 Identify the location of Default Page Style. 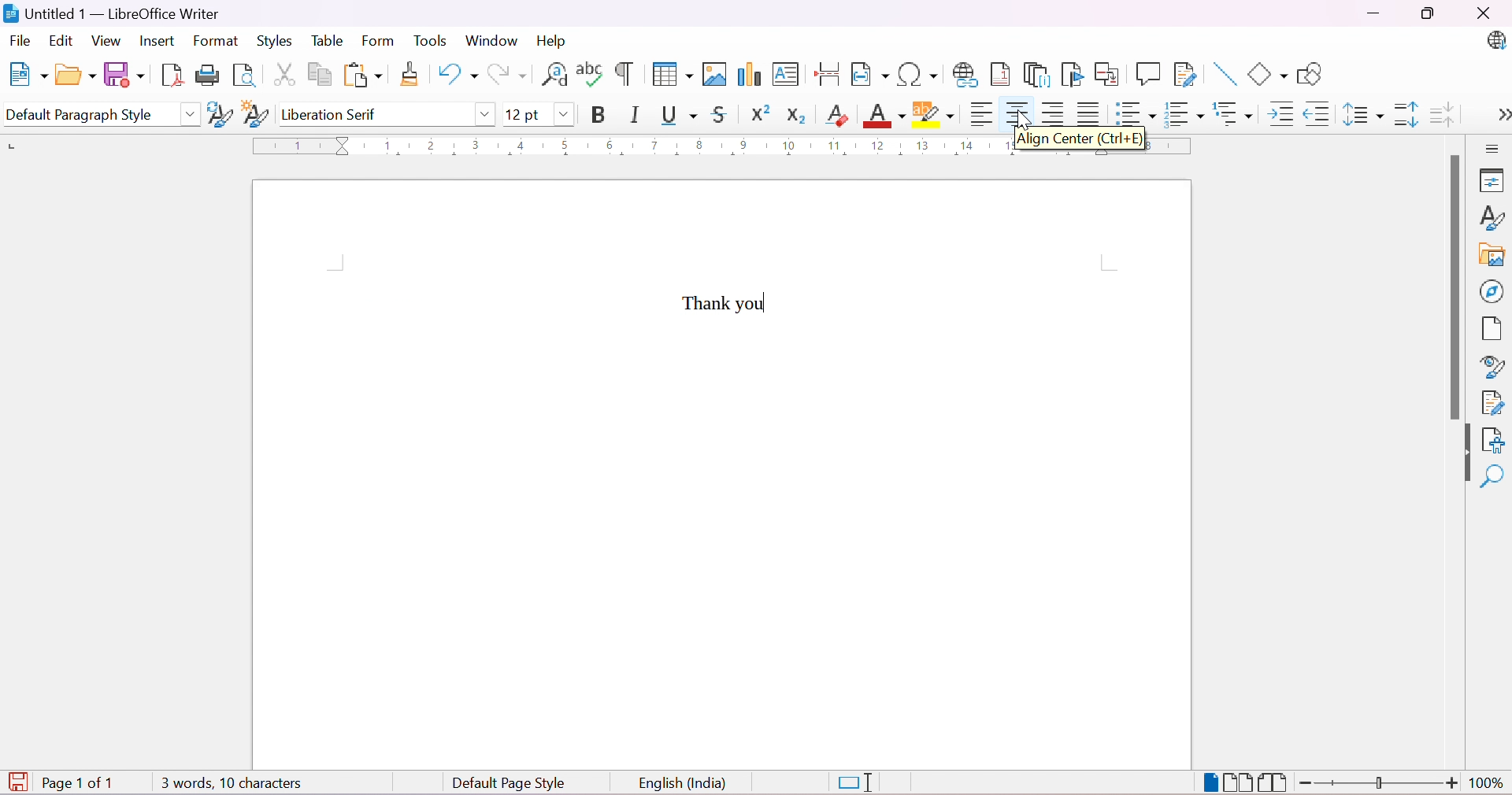
(510, 784).